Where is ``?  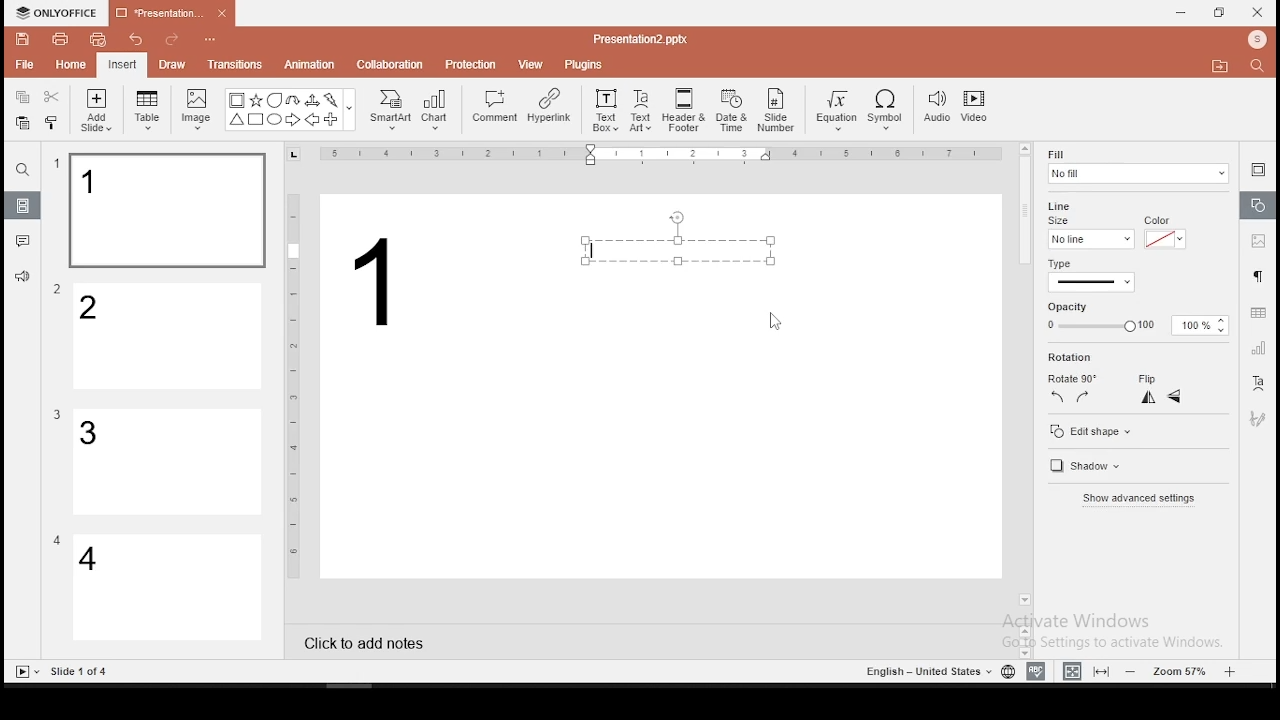  is located at coordinates (57, 415).